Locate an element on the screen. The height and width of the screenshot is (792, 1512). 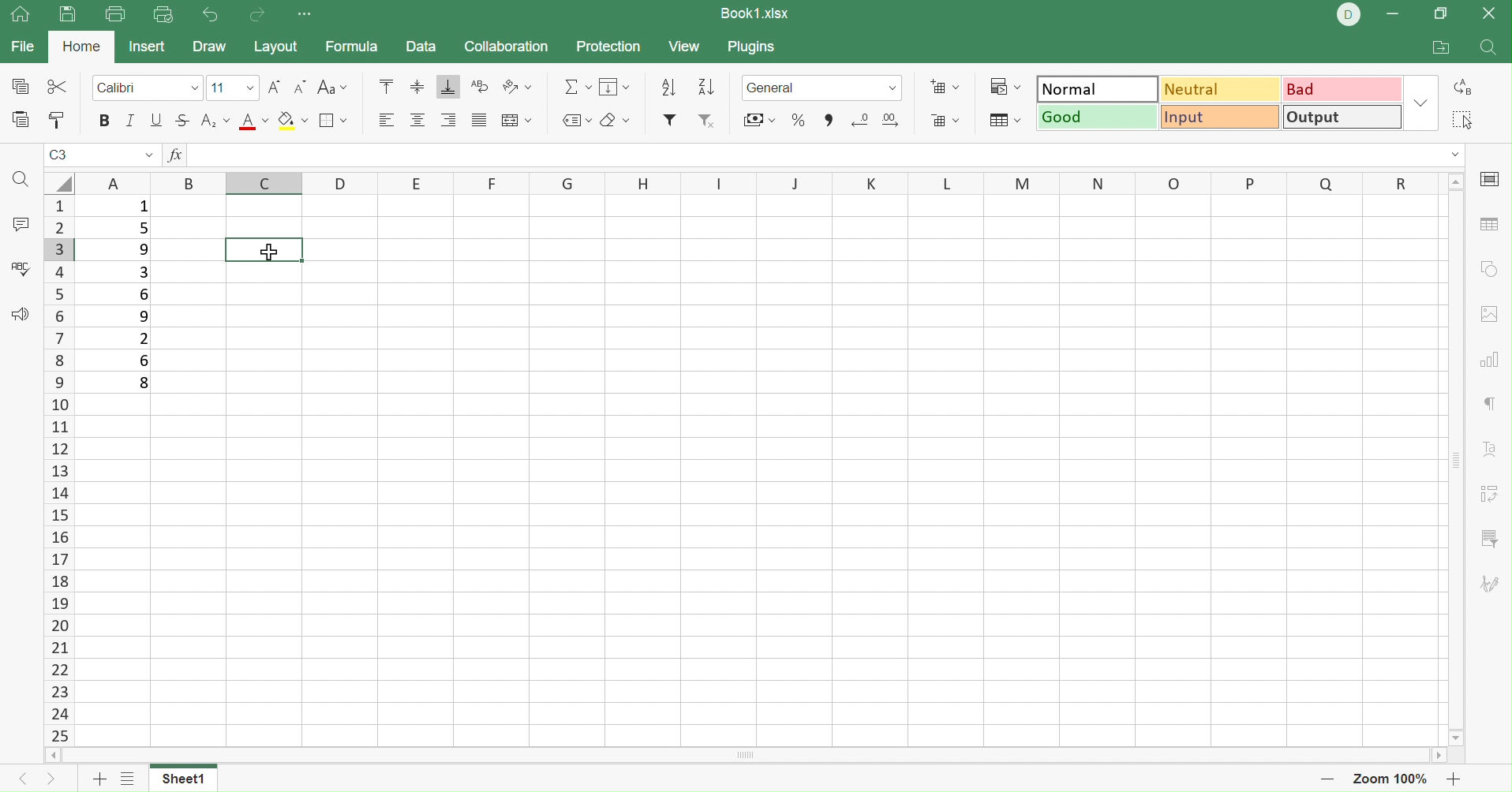
Select all is located at coordinates (1459, 117).